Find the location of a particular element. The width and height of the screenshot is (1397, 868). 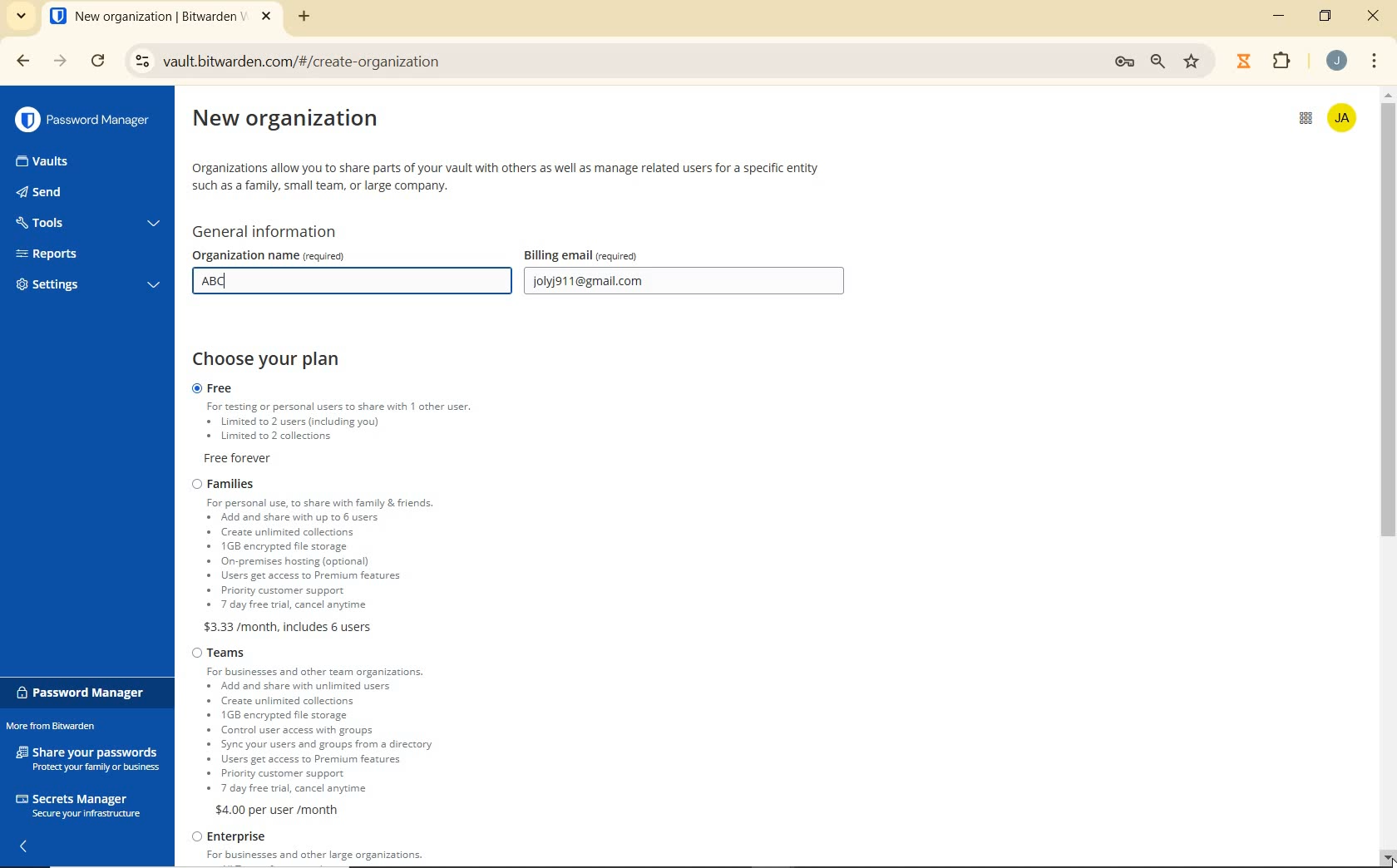

search tabs is located at coordinates (21, 17).